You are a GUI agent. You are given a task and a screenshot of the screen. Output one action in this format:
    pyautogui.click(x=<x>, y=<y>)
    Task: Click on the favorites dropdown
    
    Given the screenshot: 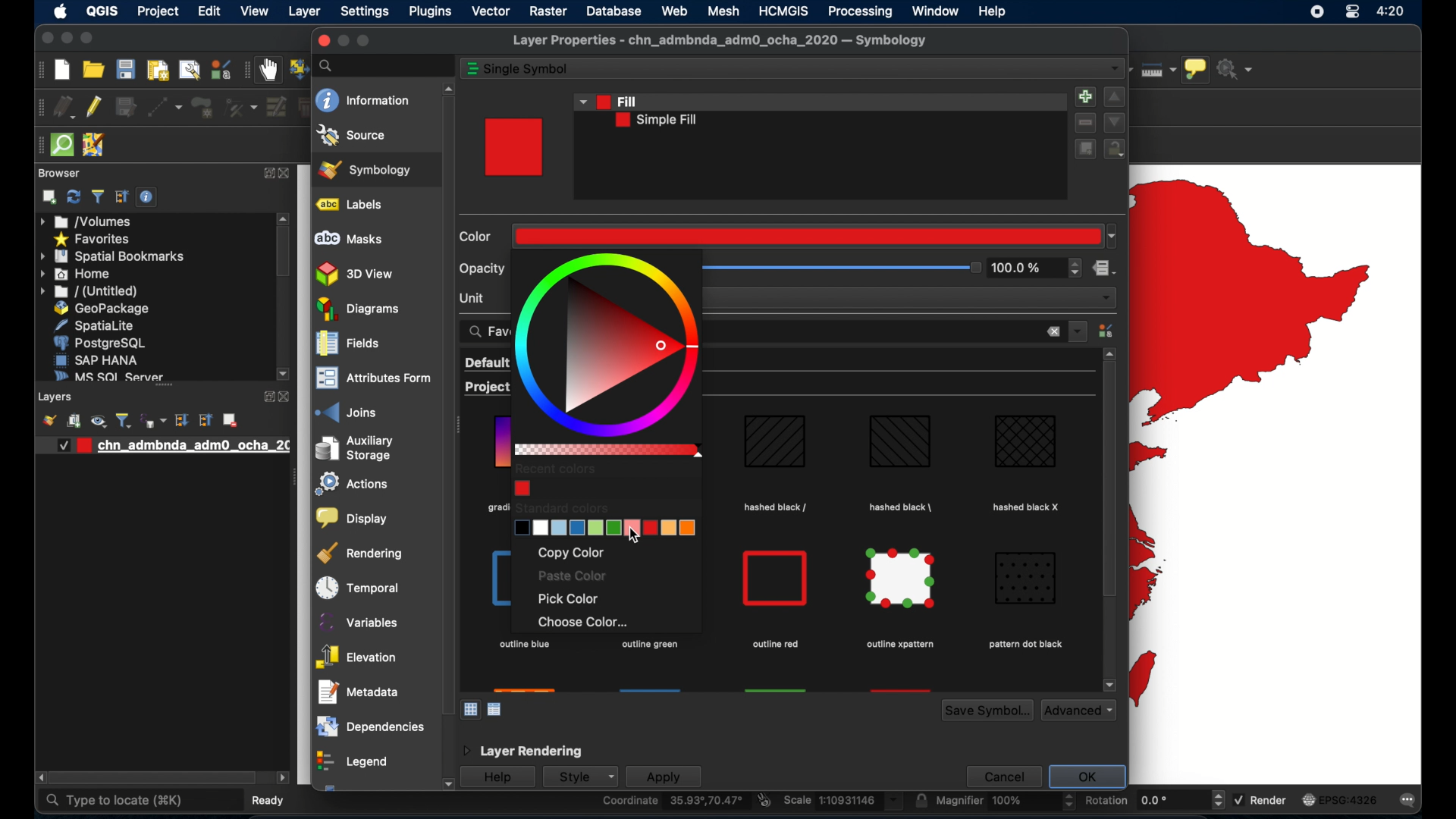 What is the action you would take?
    pyautogui.click(x=1078, y=330)
    